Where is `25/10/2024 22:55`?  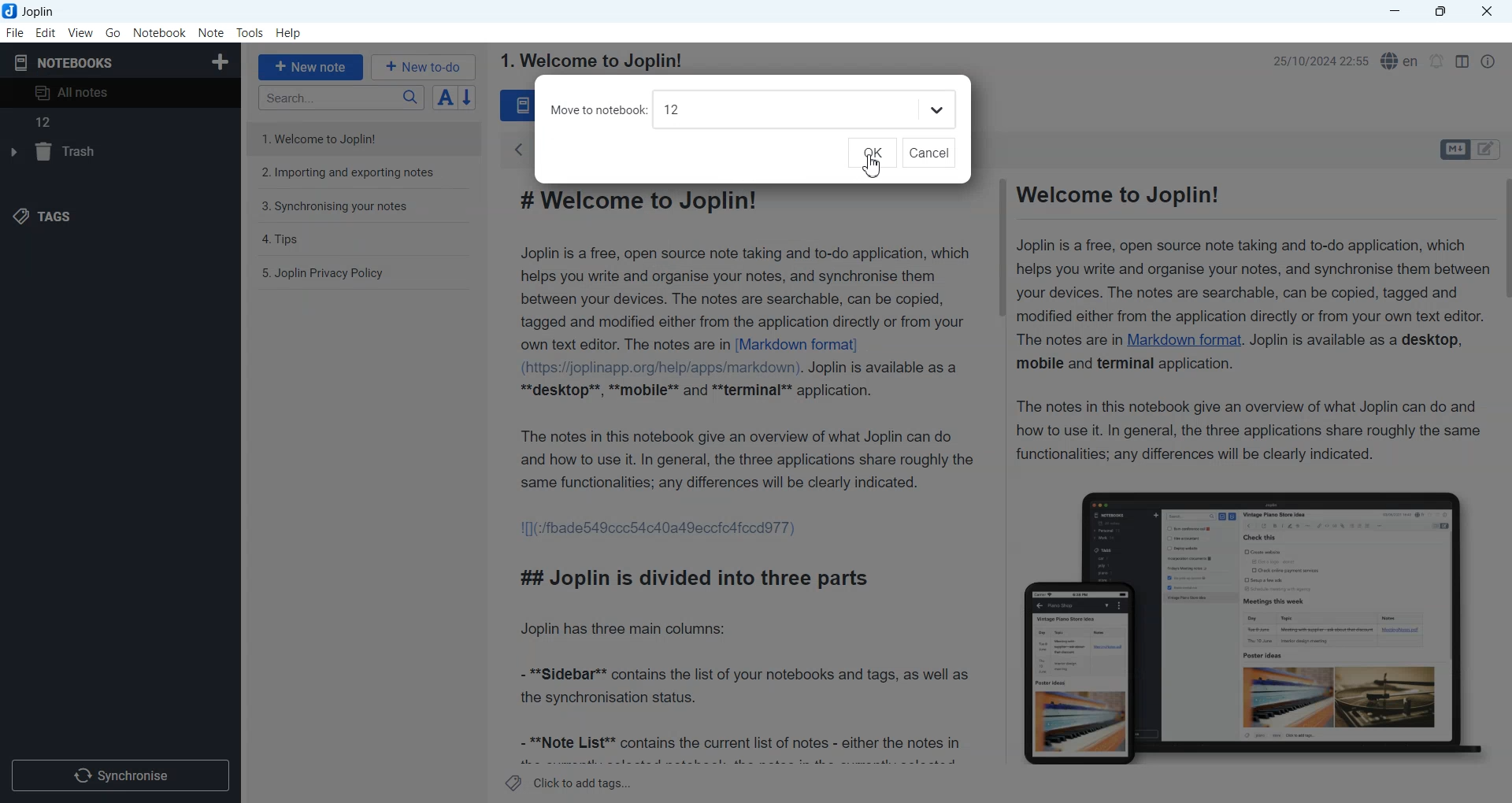
25/10/2024 22:55 is located at coordinates (1317, 61).